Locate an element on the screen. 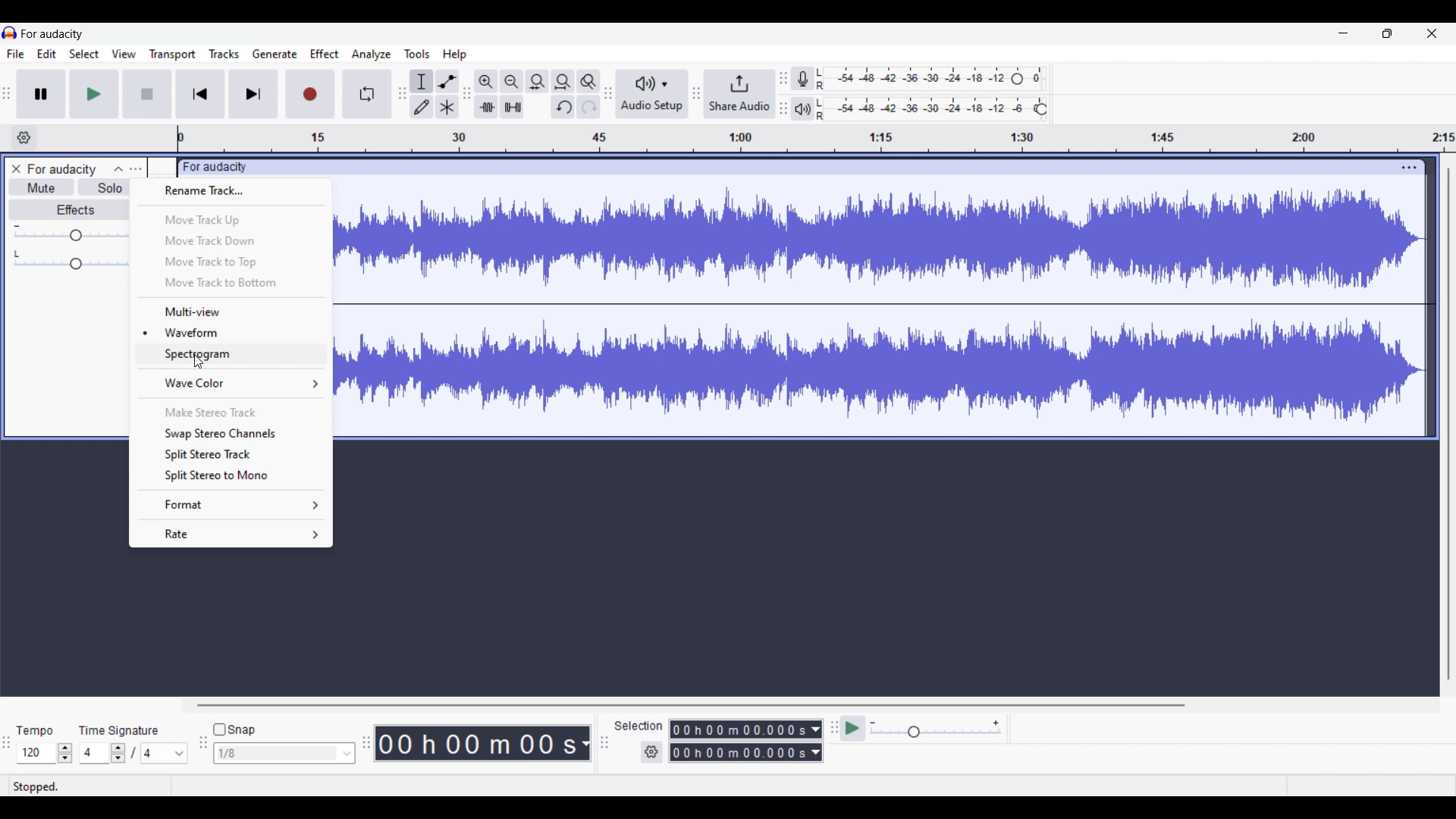 This screenshot has height=819, width=1456. Audio setup is located at coordinates (652, 93).